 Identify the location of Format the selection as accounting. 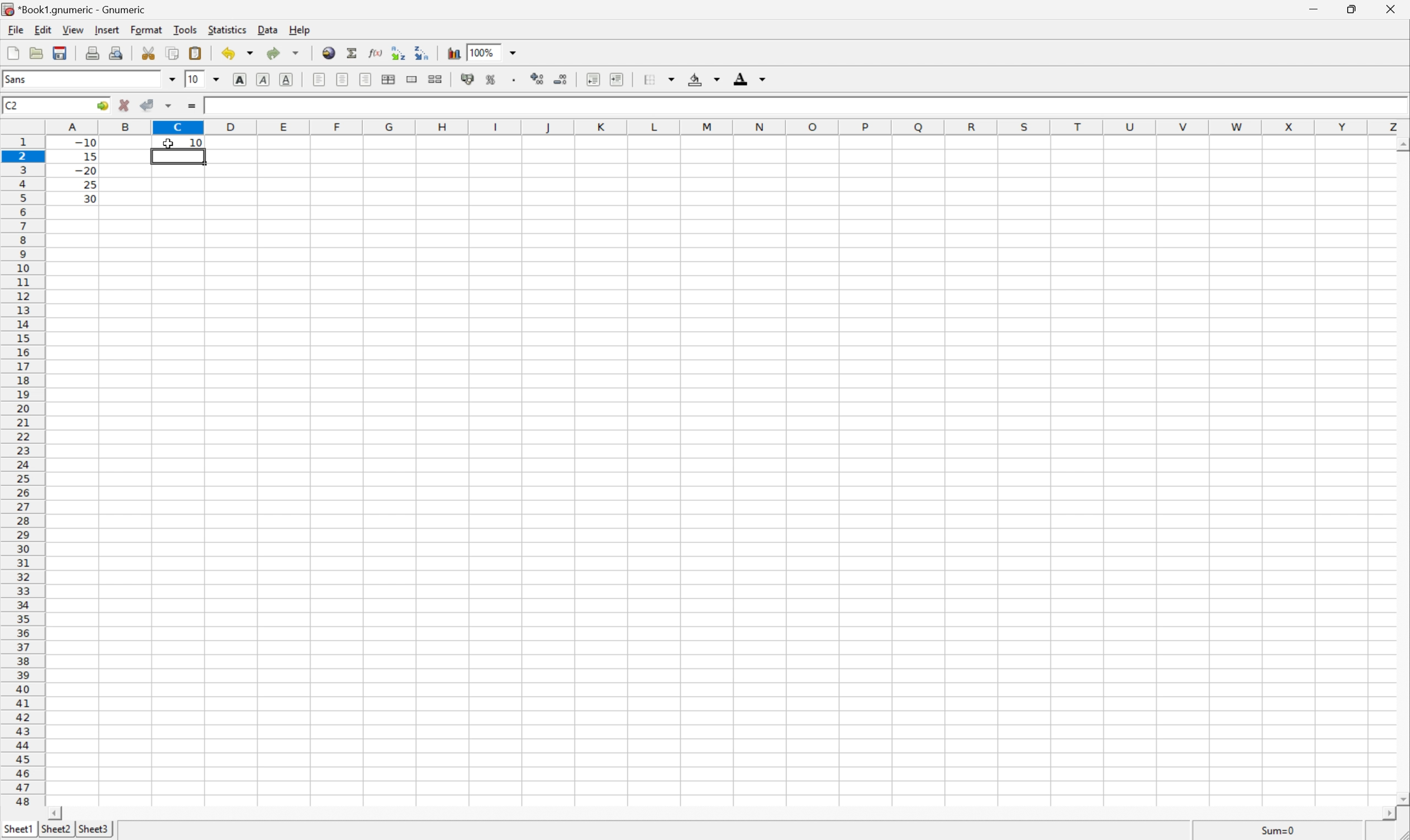
(467, 80).